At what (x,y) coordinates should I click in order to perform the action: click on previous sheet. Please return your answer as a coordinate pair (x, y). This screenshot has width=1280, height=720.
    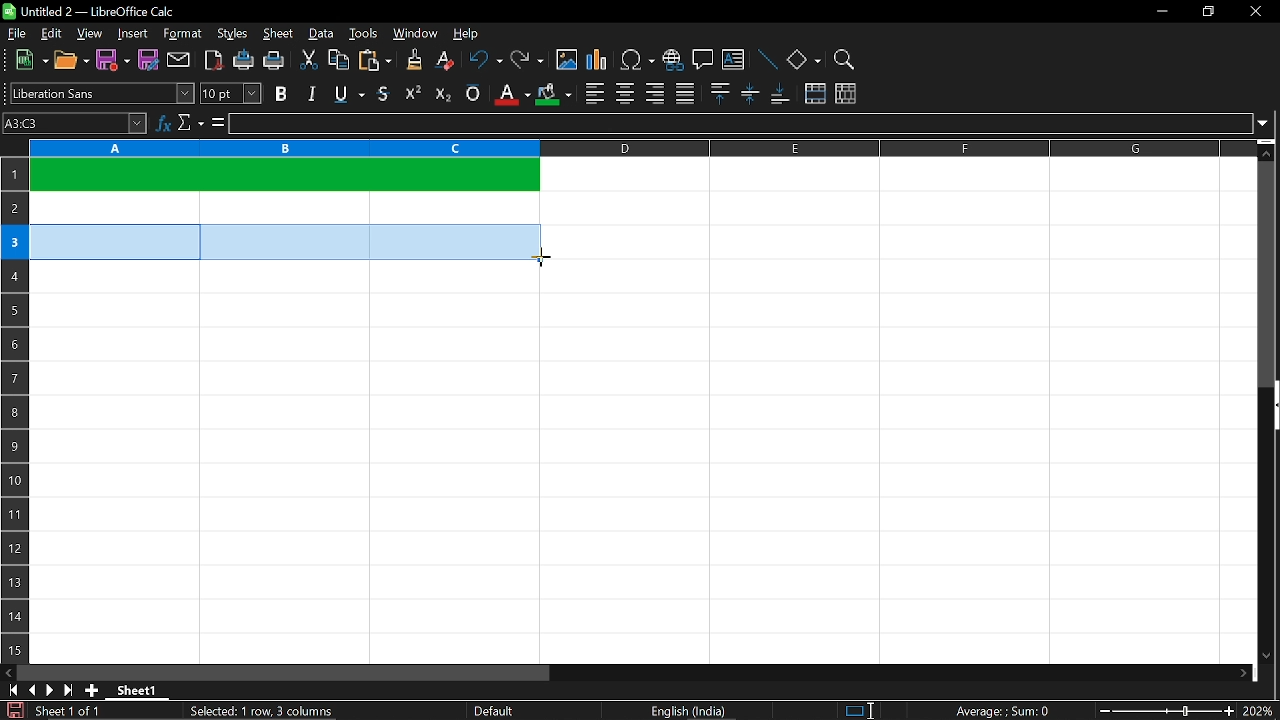
    Looking at the image, I should click on (30, 690).